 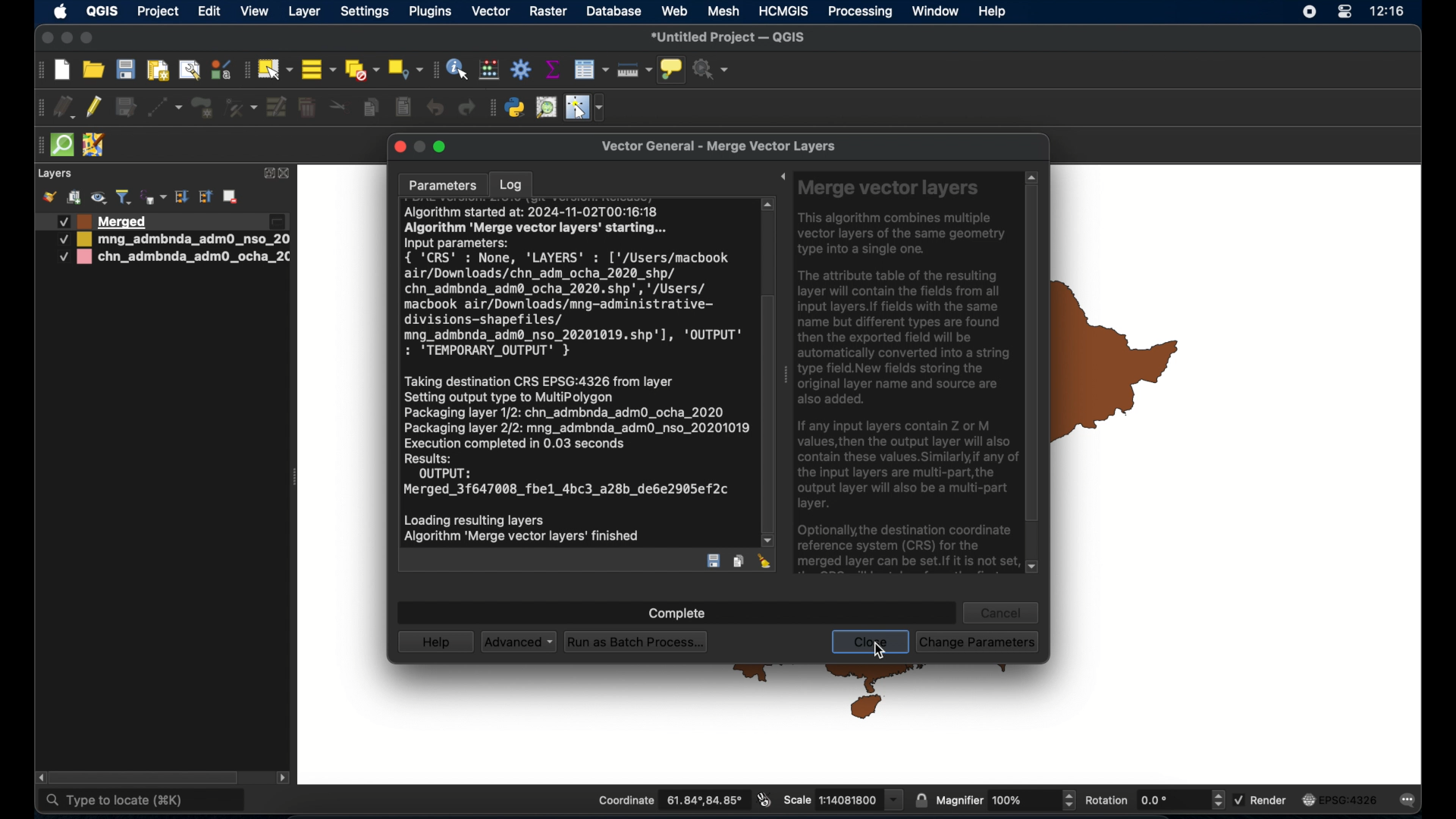 I want to click on modify attributes, so click(x=278, y=108).